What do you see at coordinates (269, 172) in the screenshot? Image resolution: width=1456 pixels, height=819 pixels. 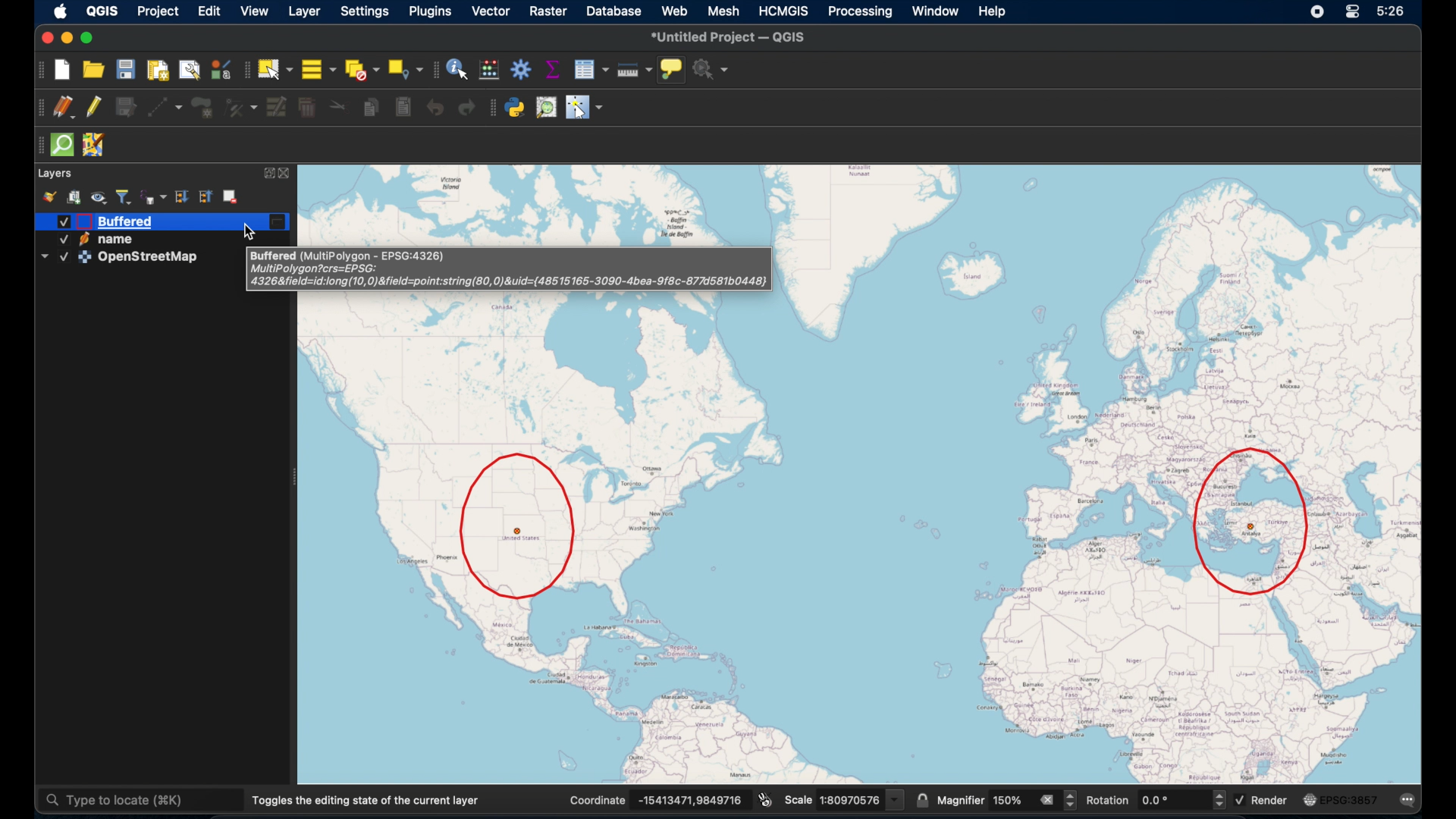 I see `expand` at bounding box center [269, 172].